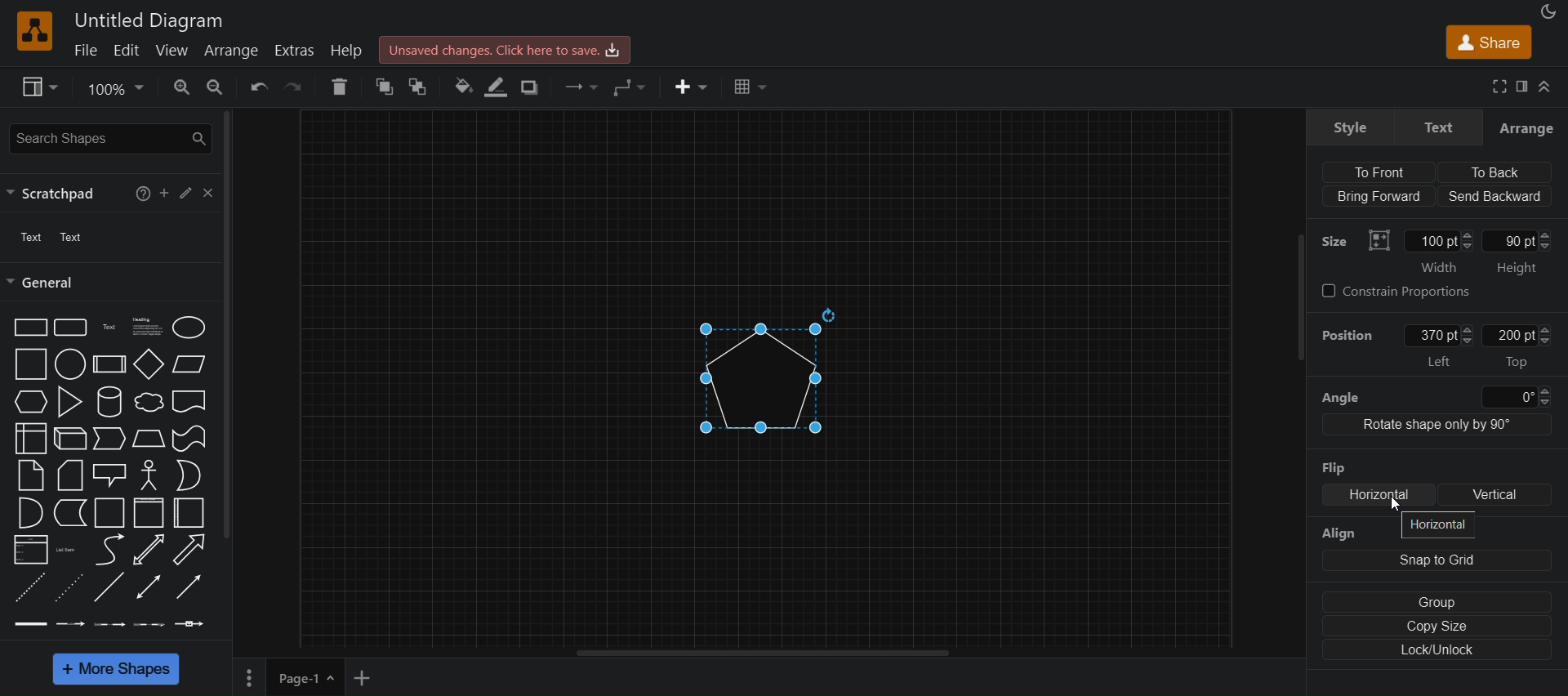 The width and height of the screenshot is (1568, 696). I want to click on line color, so click(497, 87).